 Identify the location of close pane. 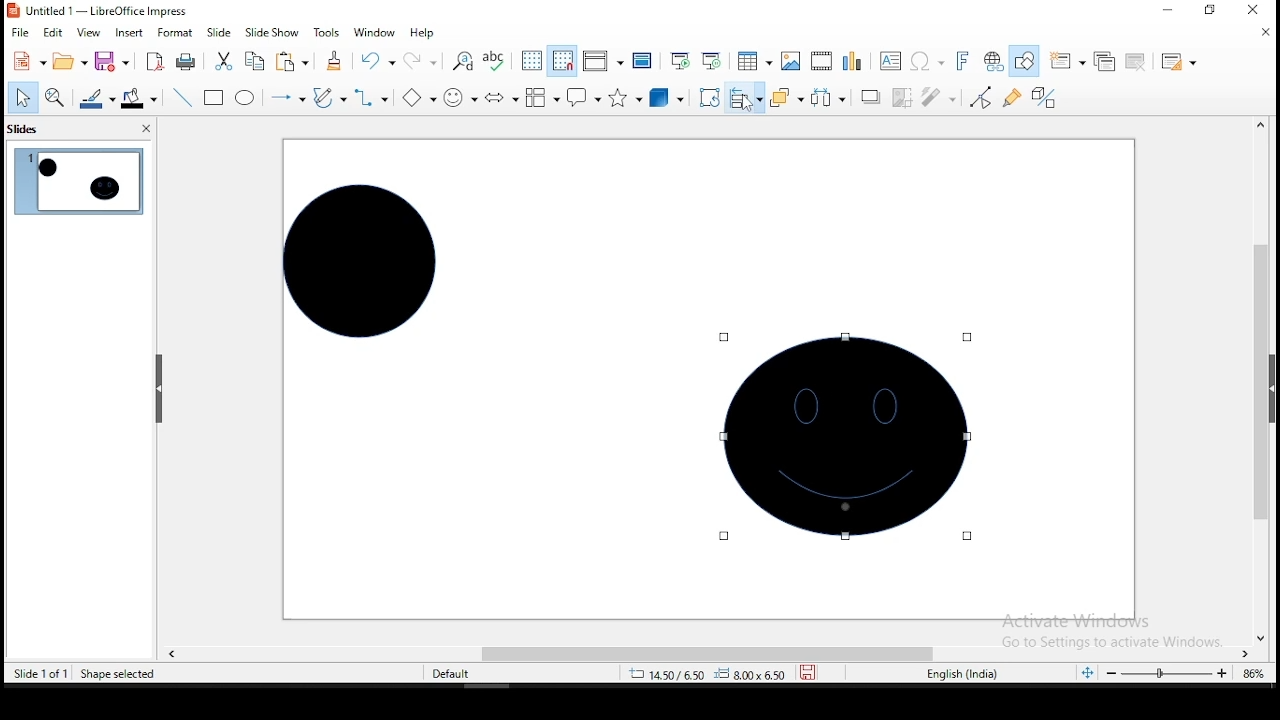
(144, 130).